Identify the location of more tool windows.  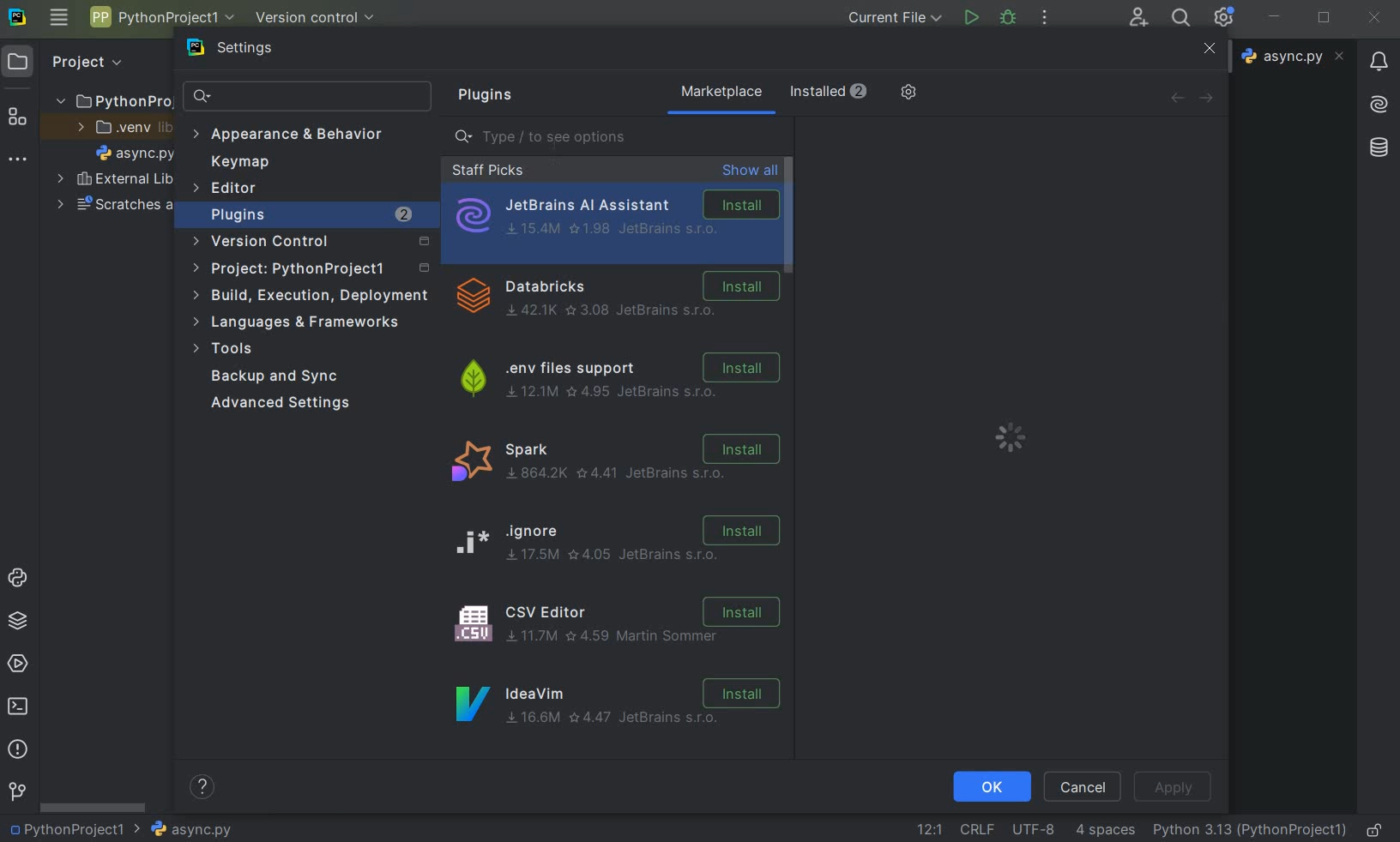
(18, 162).